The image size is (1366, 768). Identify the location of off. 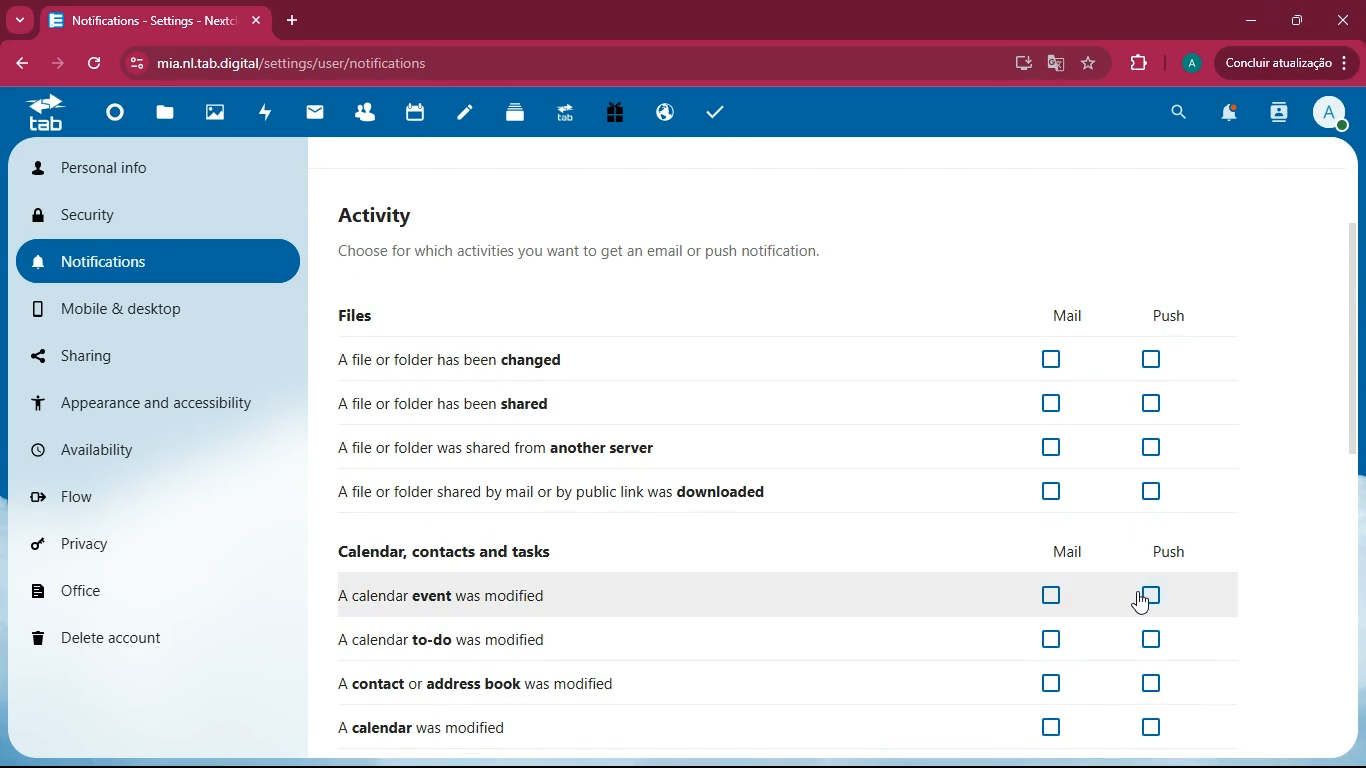
(1159, 727).